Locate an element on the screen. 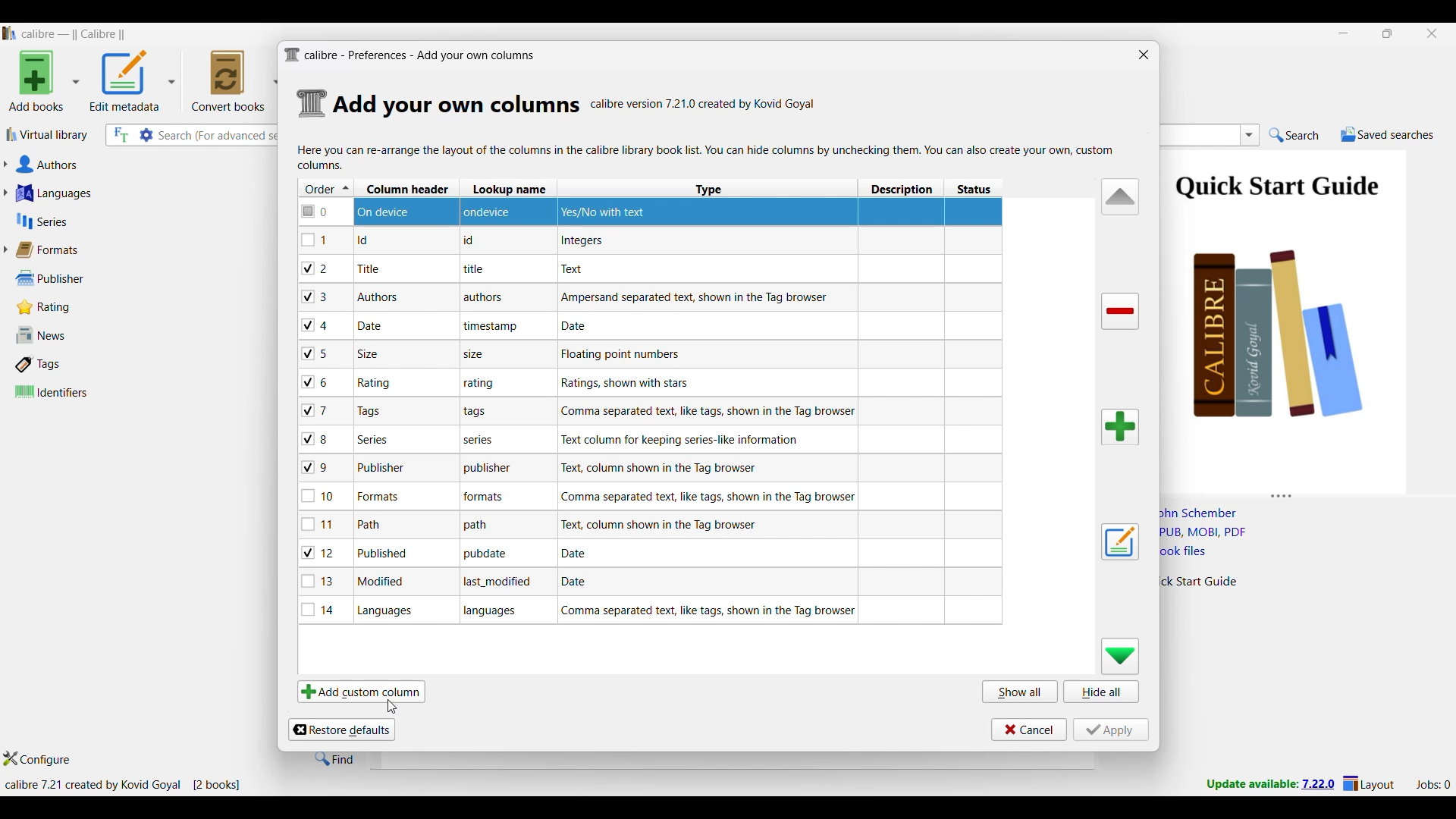  Add custom column is located at coordinates (361, 691).